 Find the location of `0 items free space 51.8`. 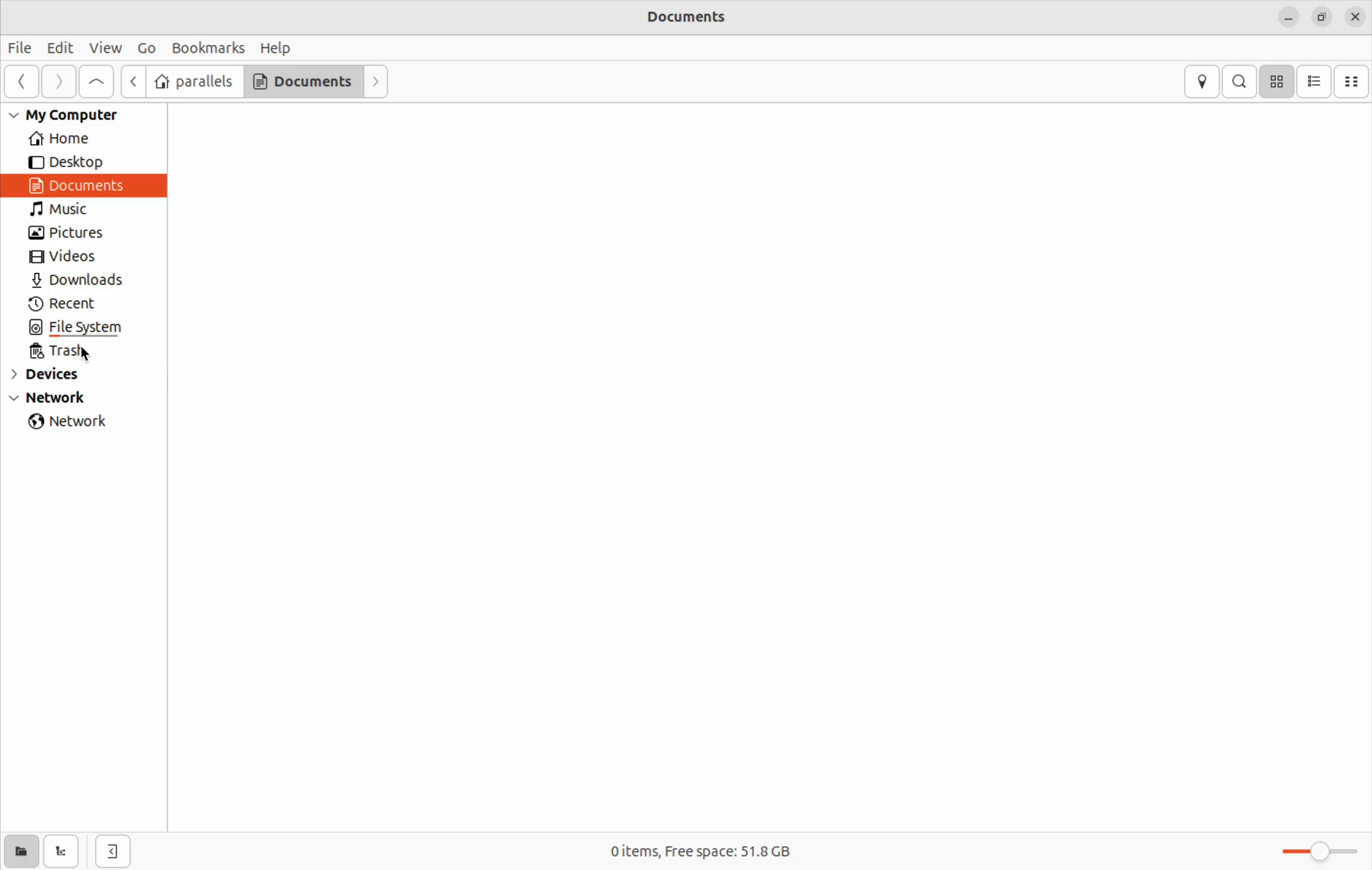

0 items free space 51.8 is located at coordinates (704, 850).